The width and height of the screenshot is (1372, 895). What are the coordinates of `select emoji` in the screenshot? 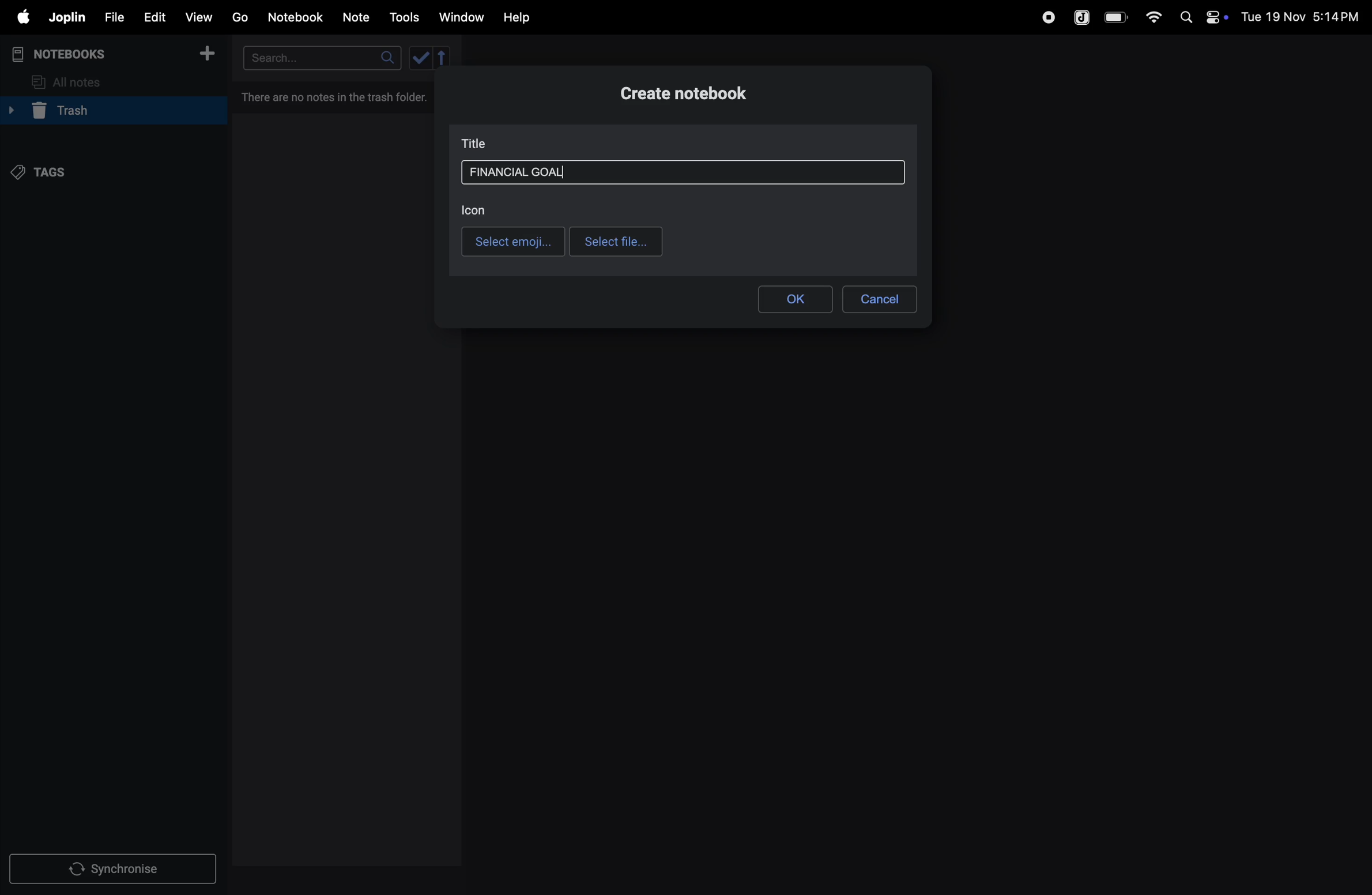 It's located at (513, 241).